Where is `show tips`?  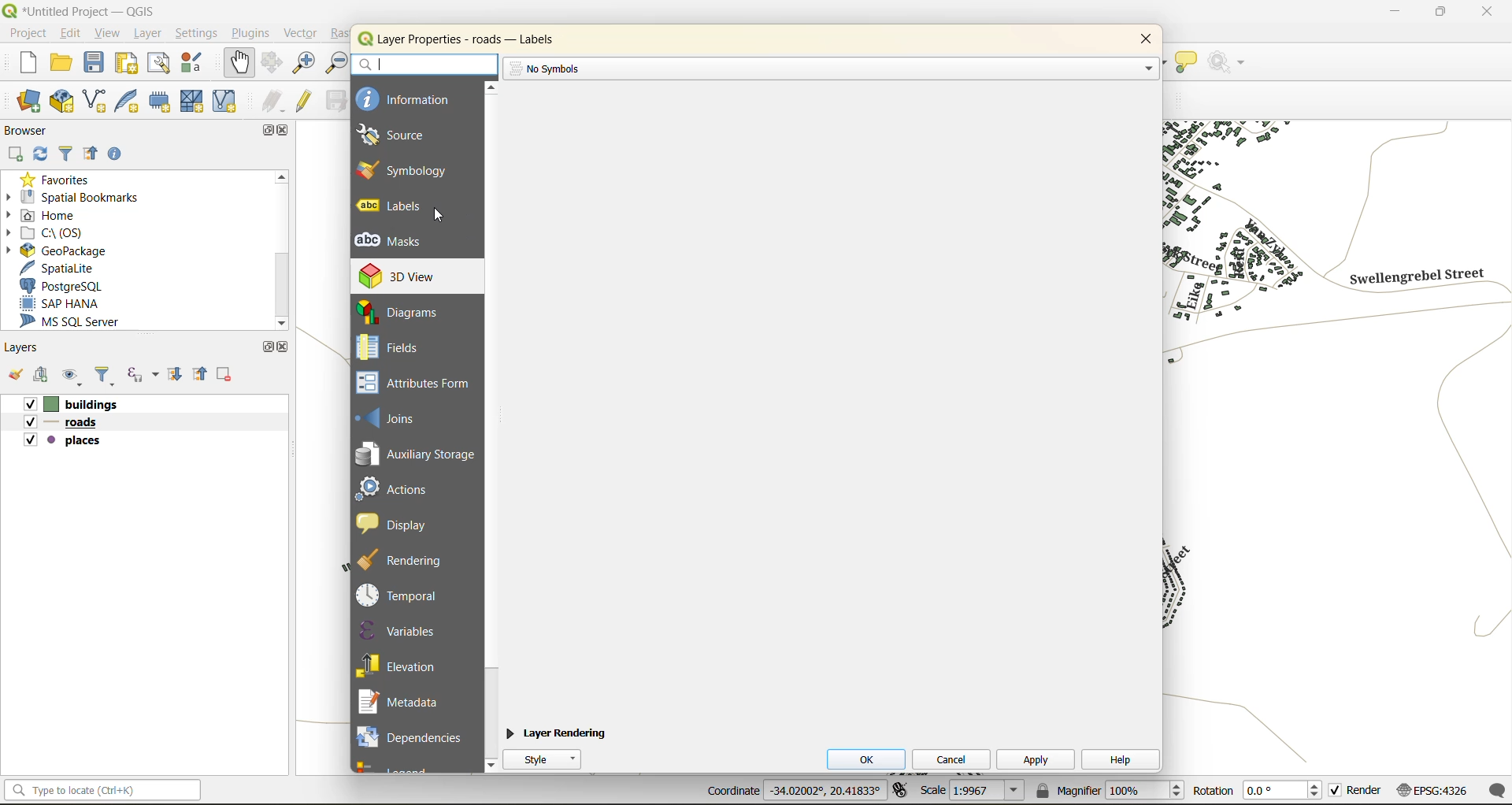 show tips is located at coordinates (1187, 63).